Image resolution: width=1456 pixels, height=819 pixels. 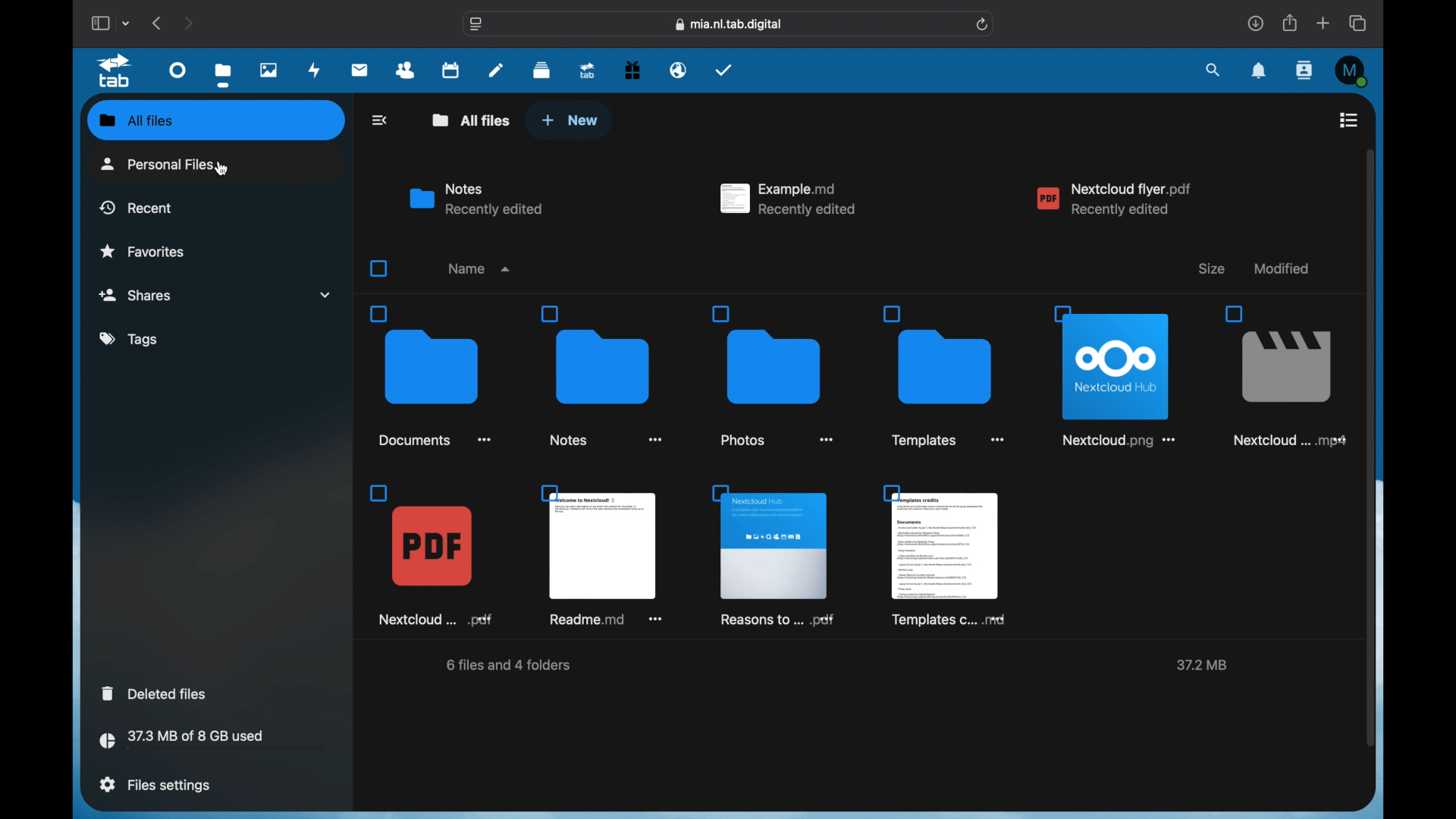 What do you see at coordinates (215, 295) in the screenshot?
I see `shares` at bounding box center [215, 295].